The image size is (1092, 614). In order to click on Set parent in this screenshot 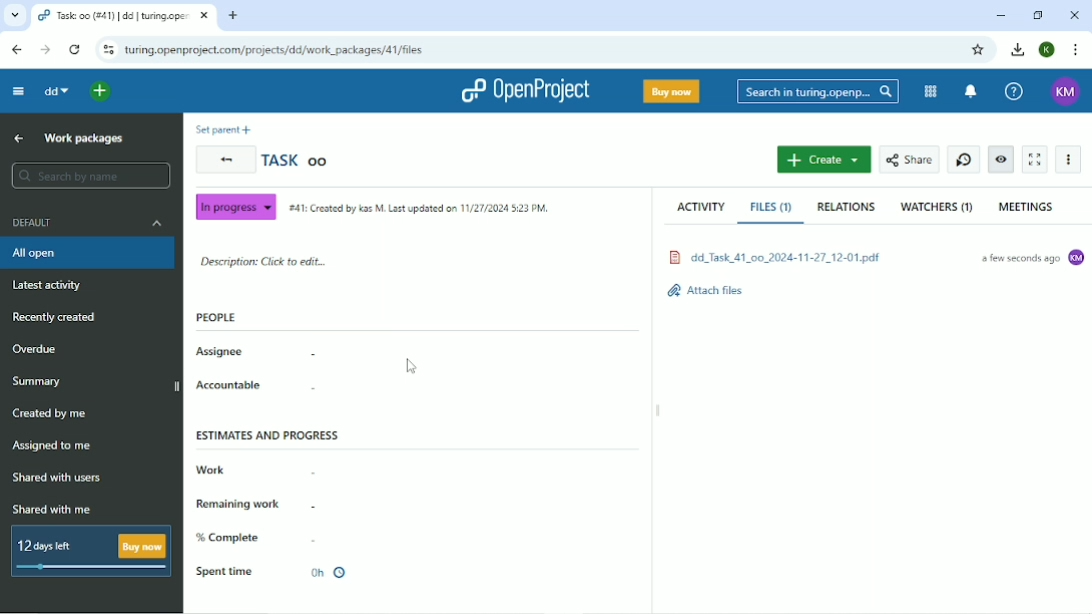, I will do `click(224, 131)`.